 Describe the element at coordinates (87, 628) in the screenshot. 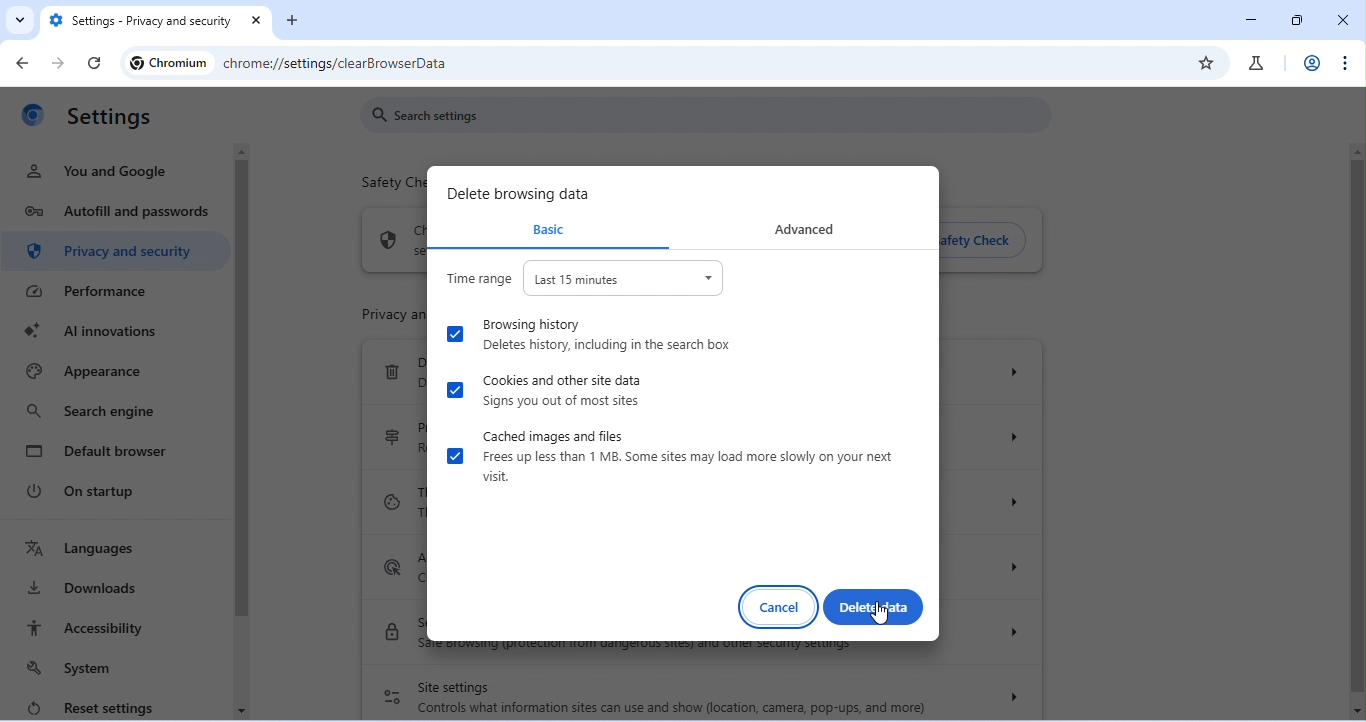

I see `accessibility` at that location.